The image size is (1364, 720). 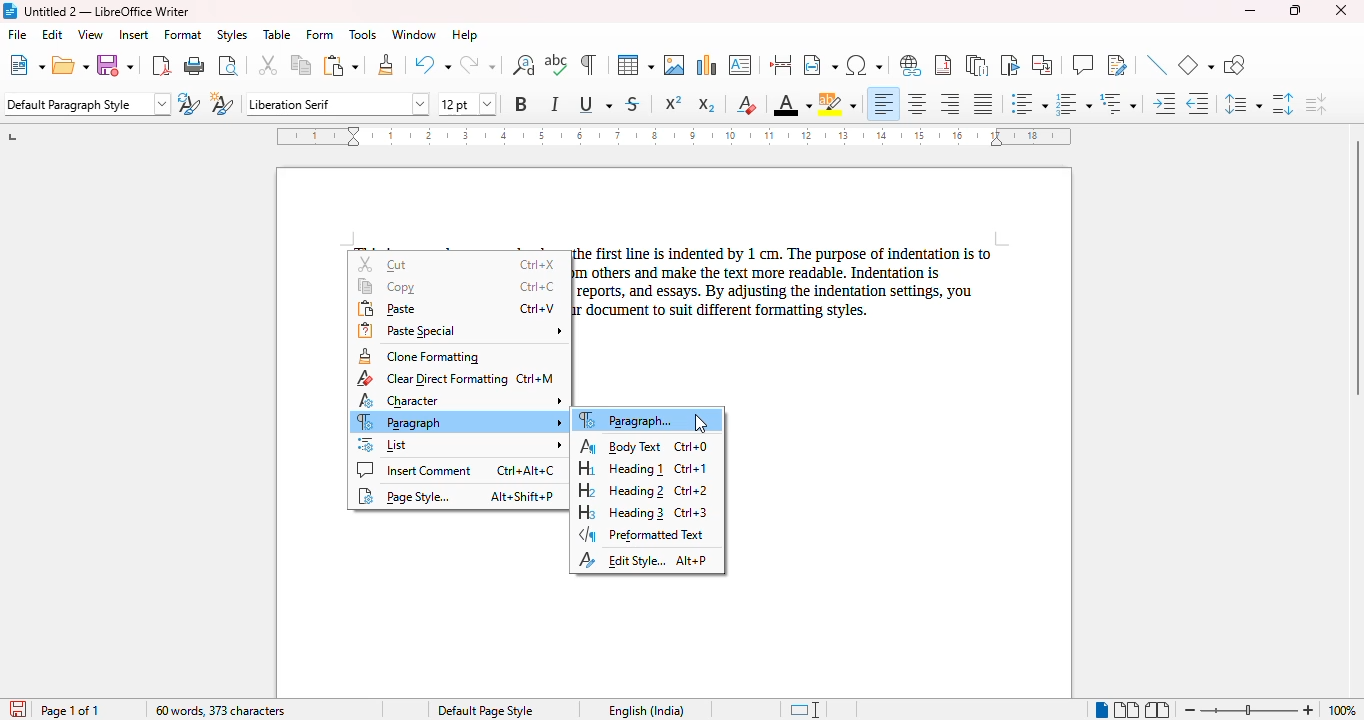 What do you see at coordinates (944, 64) in the screenshot?
I see `insert footnote` at bounding box center [944, 64].